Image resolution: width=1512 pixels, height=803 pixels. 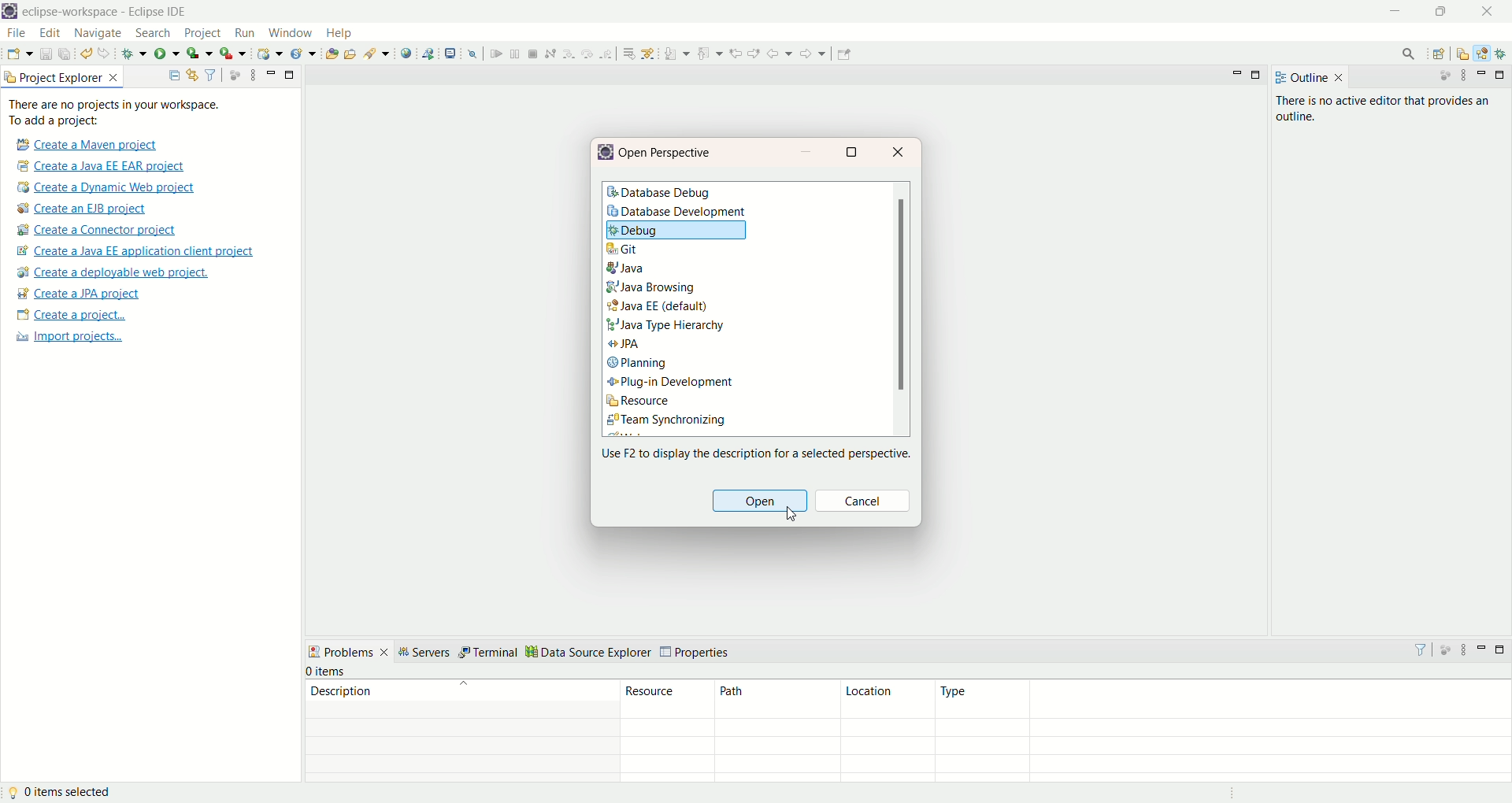 What do you see at coordinates (292, 33) in the screenshot?
I see `window` at bounding box center [292, 33].